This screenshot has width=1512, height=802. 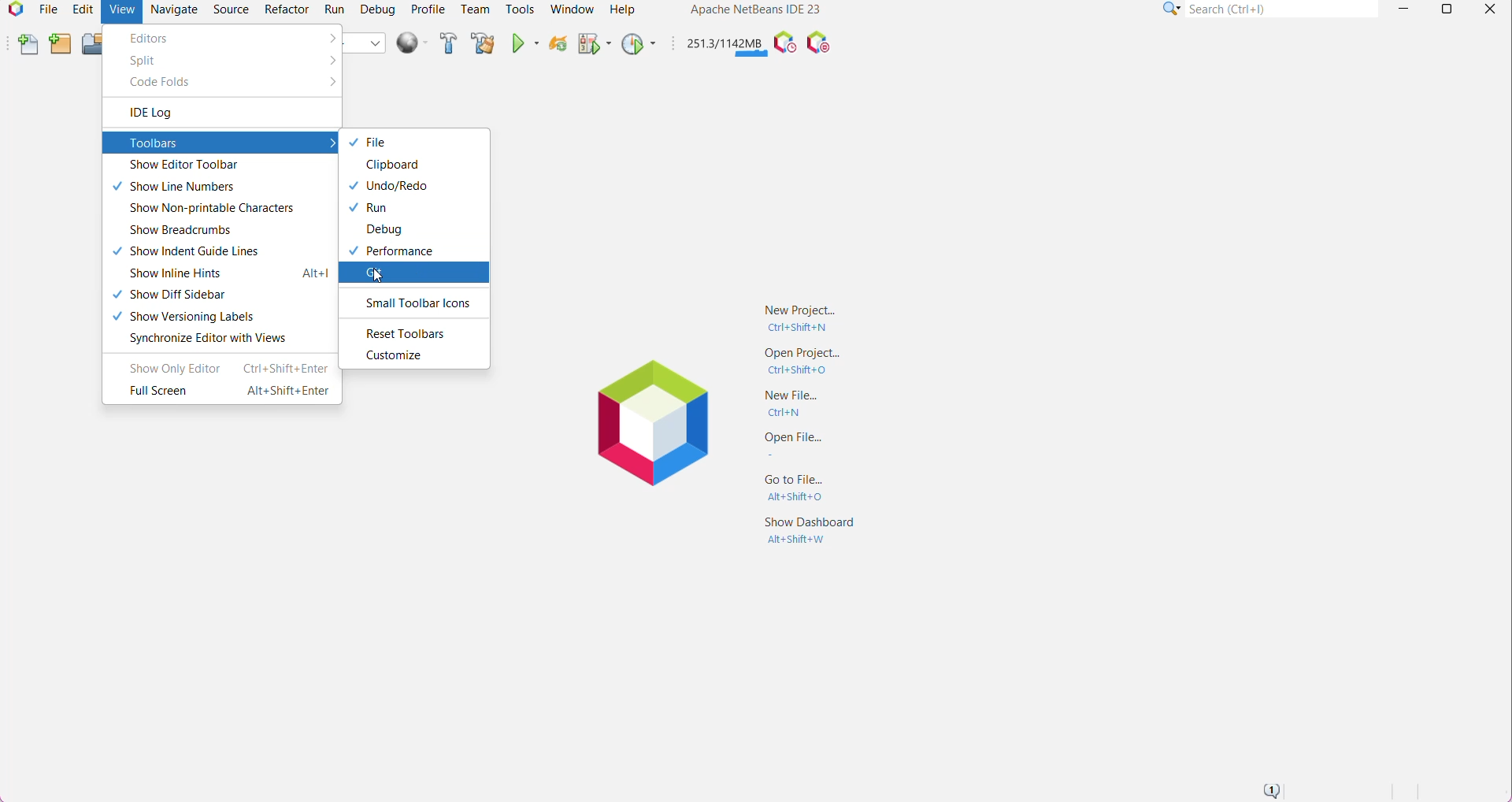 I want to click on Performance, so click(x=401, y=252).